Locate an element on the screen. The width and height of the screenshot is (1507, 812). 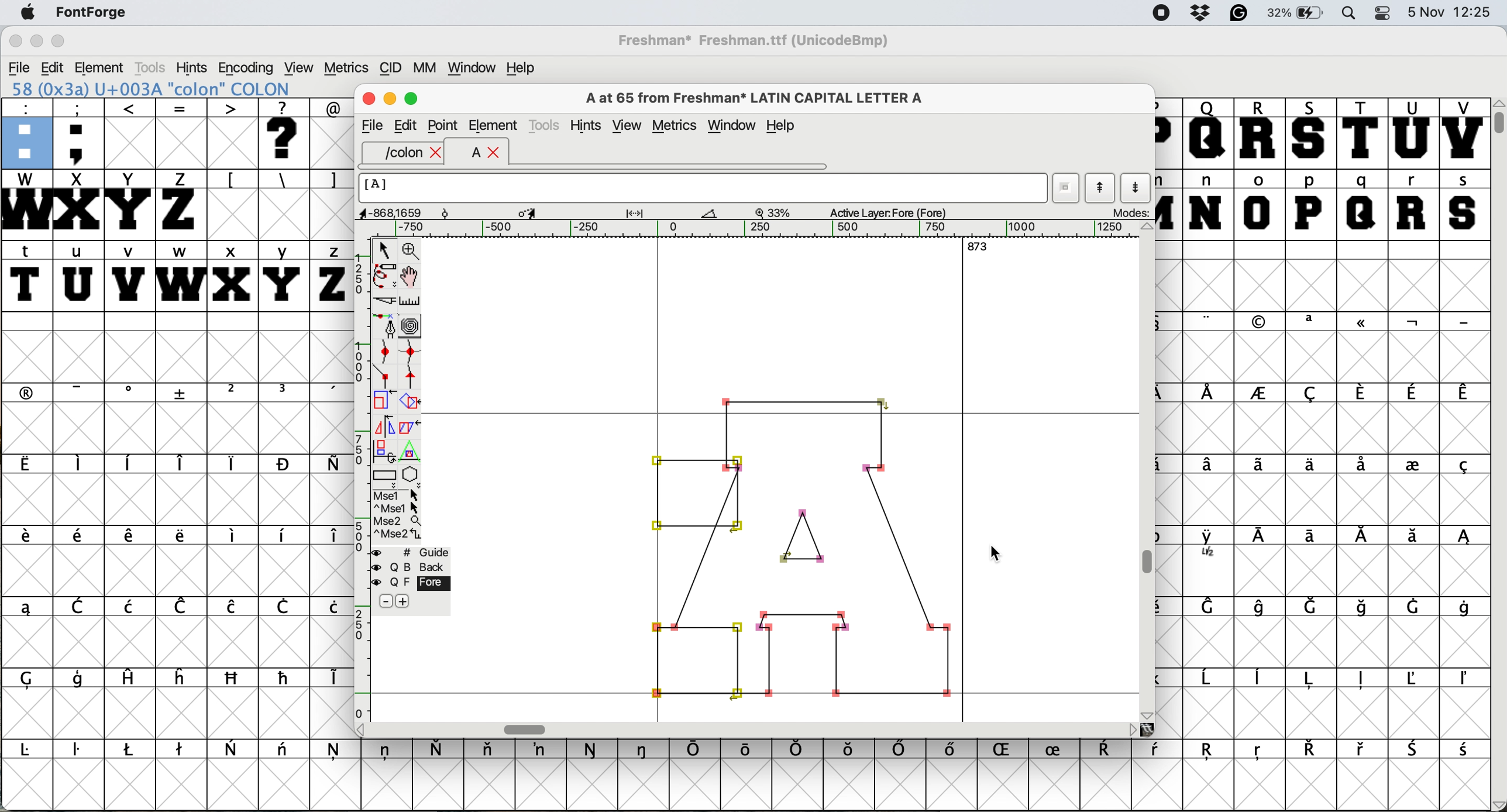
symbol is located at coordinates (81, 606).